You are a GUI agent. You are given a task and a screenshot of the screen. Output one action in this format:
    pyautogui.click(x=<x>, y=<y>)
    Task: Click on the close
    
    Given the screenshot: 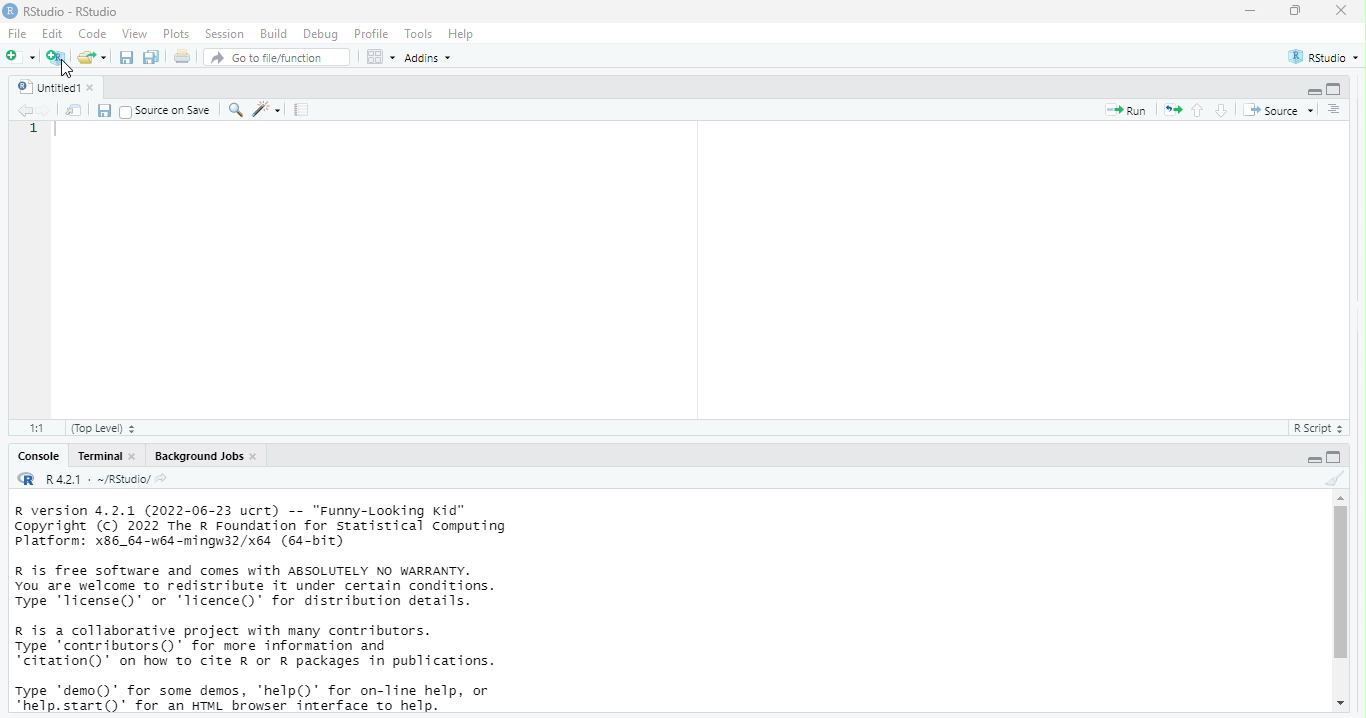 What is the action you would take?
    pyautogui.click(x=100, y=87)
    